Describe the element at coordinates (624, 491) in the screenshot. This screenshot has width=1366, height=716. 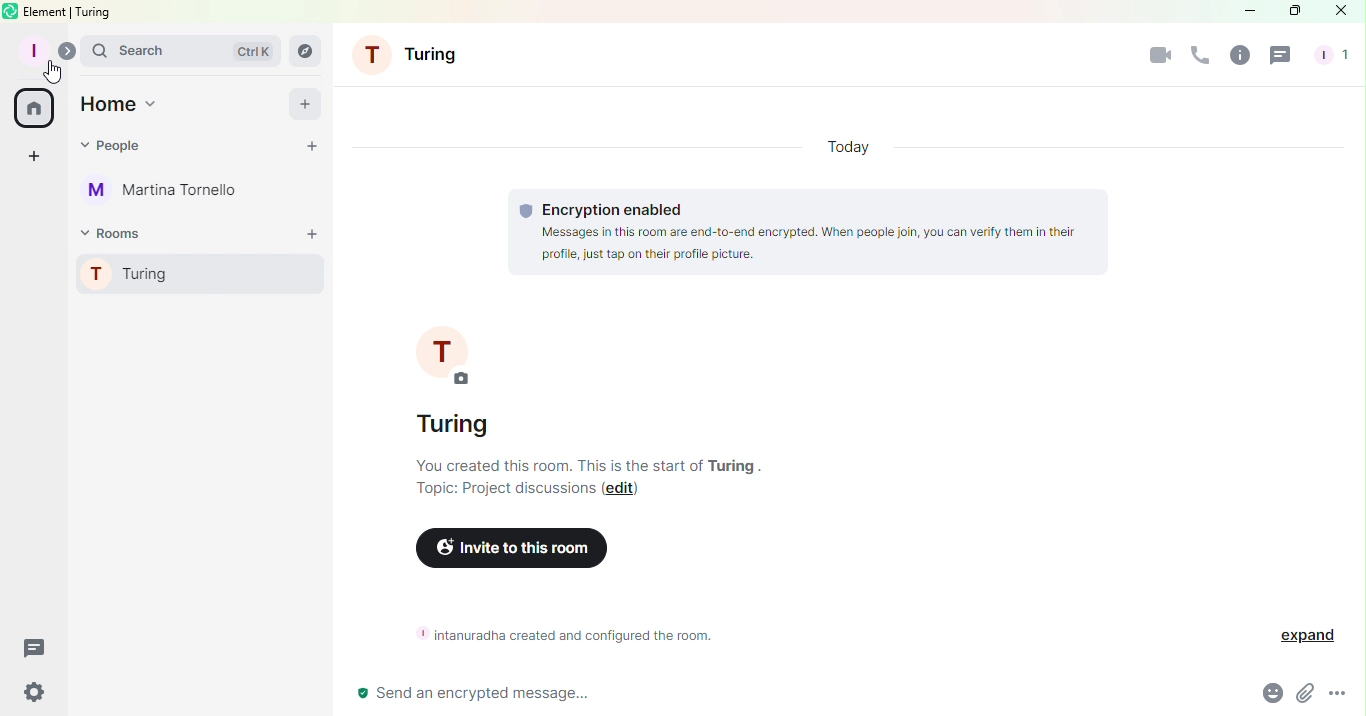
I see `Edit` at that location.